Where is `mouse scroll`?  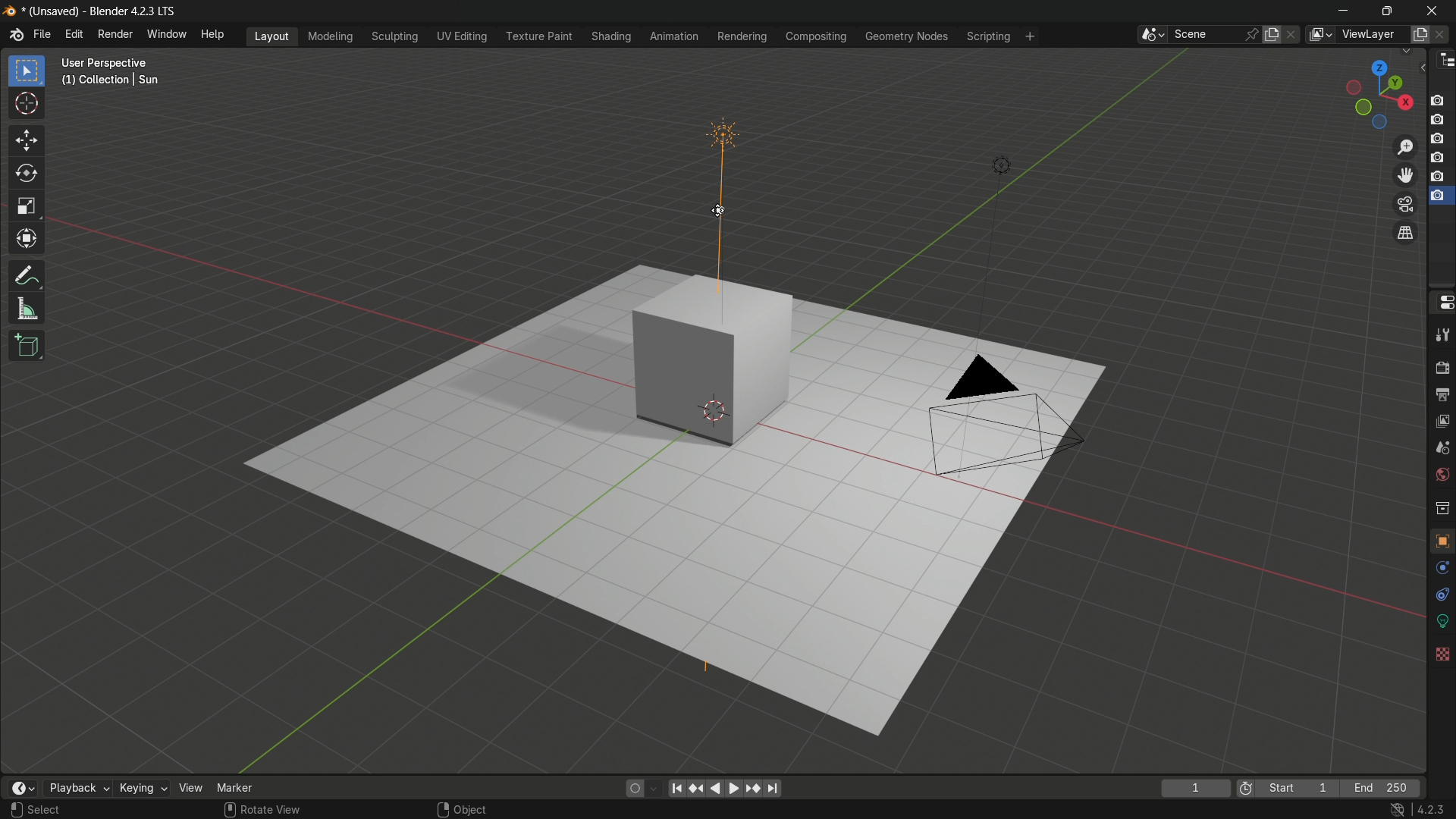 mouse scroll is located at coordinates (227, 809).